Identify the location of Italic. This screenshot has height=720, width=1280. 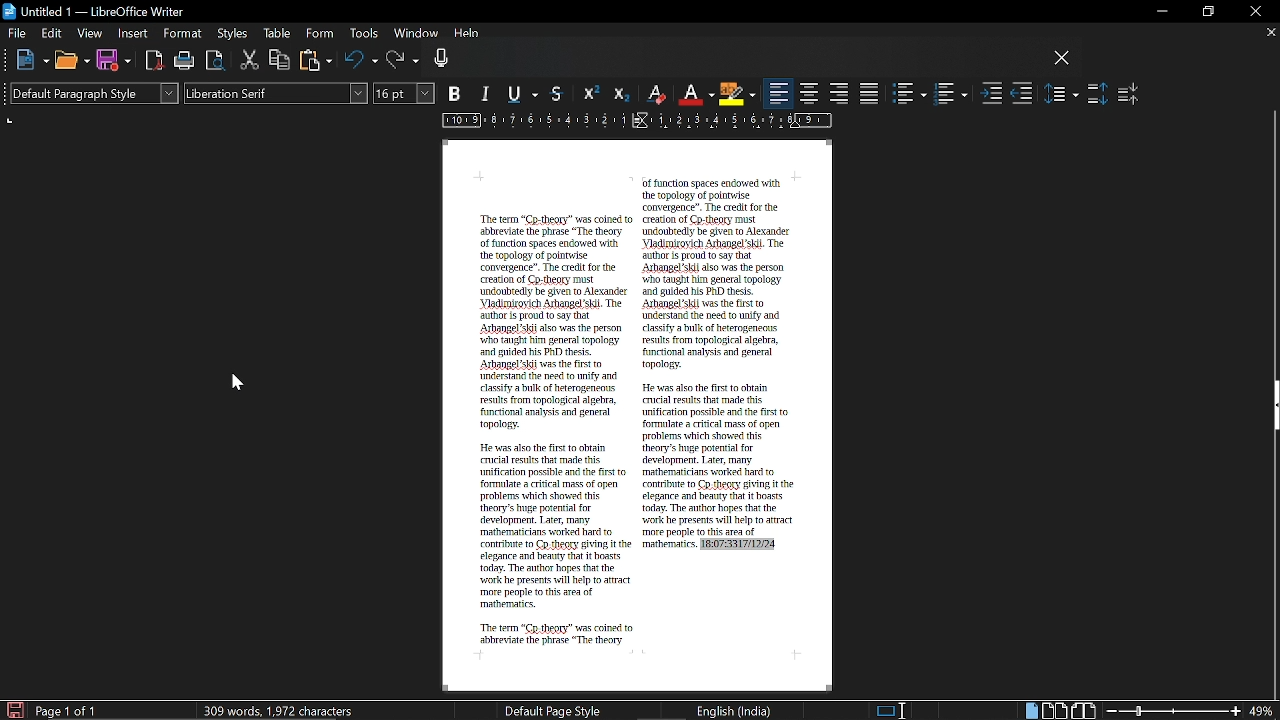
(487, 95).